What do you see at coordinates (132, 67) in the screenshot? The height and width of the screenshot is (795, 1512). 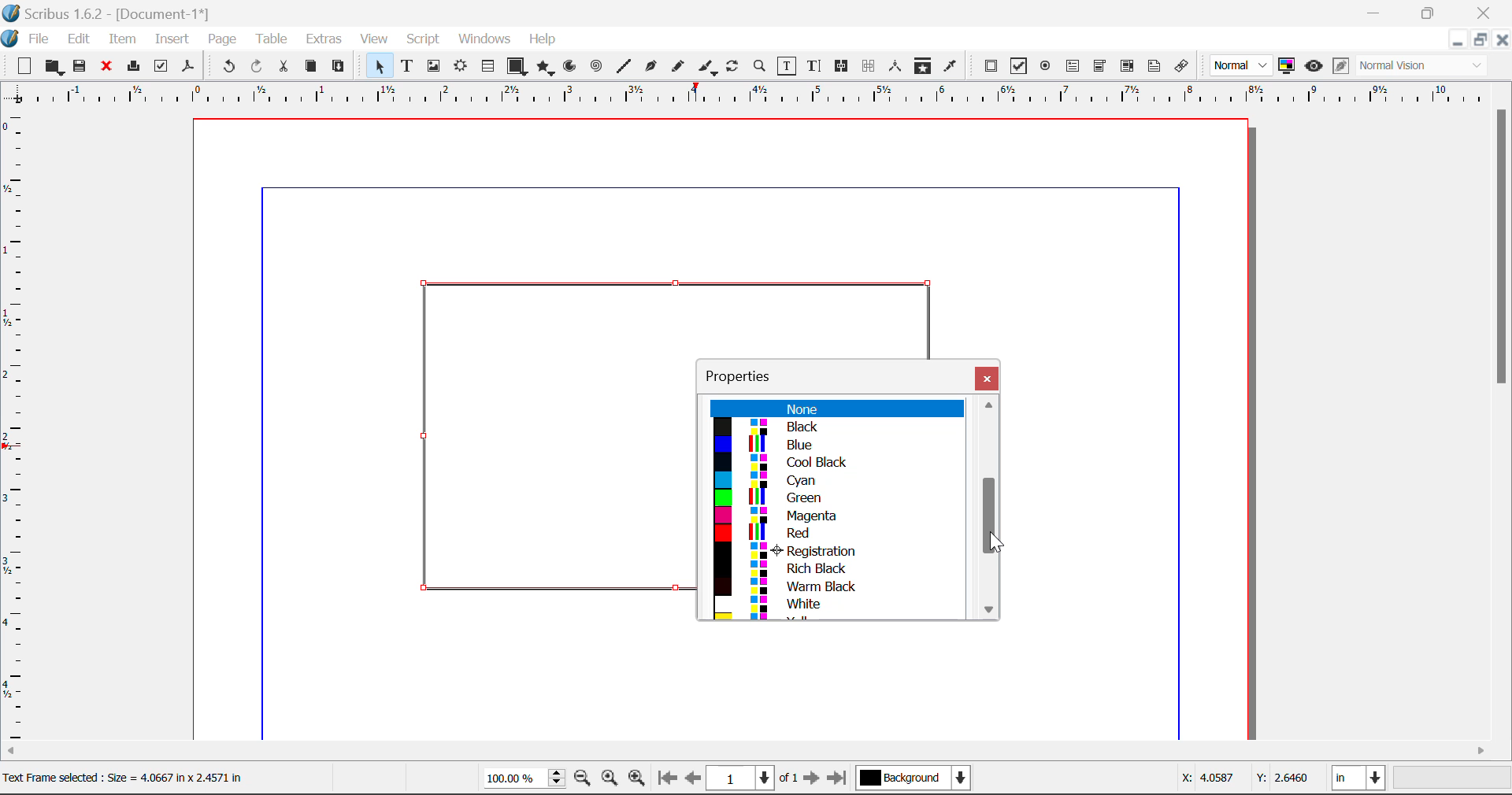 I see `Print` at bounding box center [132, 67].